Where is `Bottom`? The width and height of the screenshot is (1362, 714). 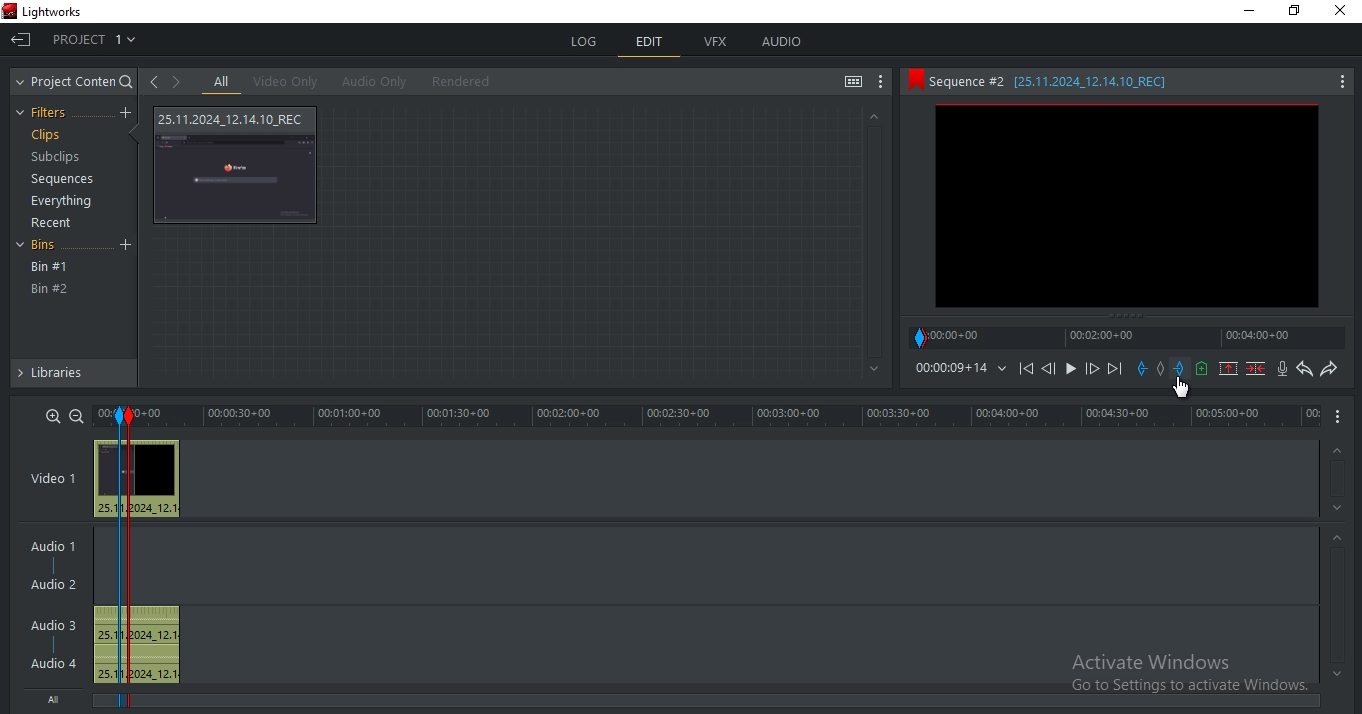 Bottom is located at coordinates (871, 369).